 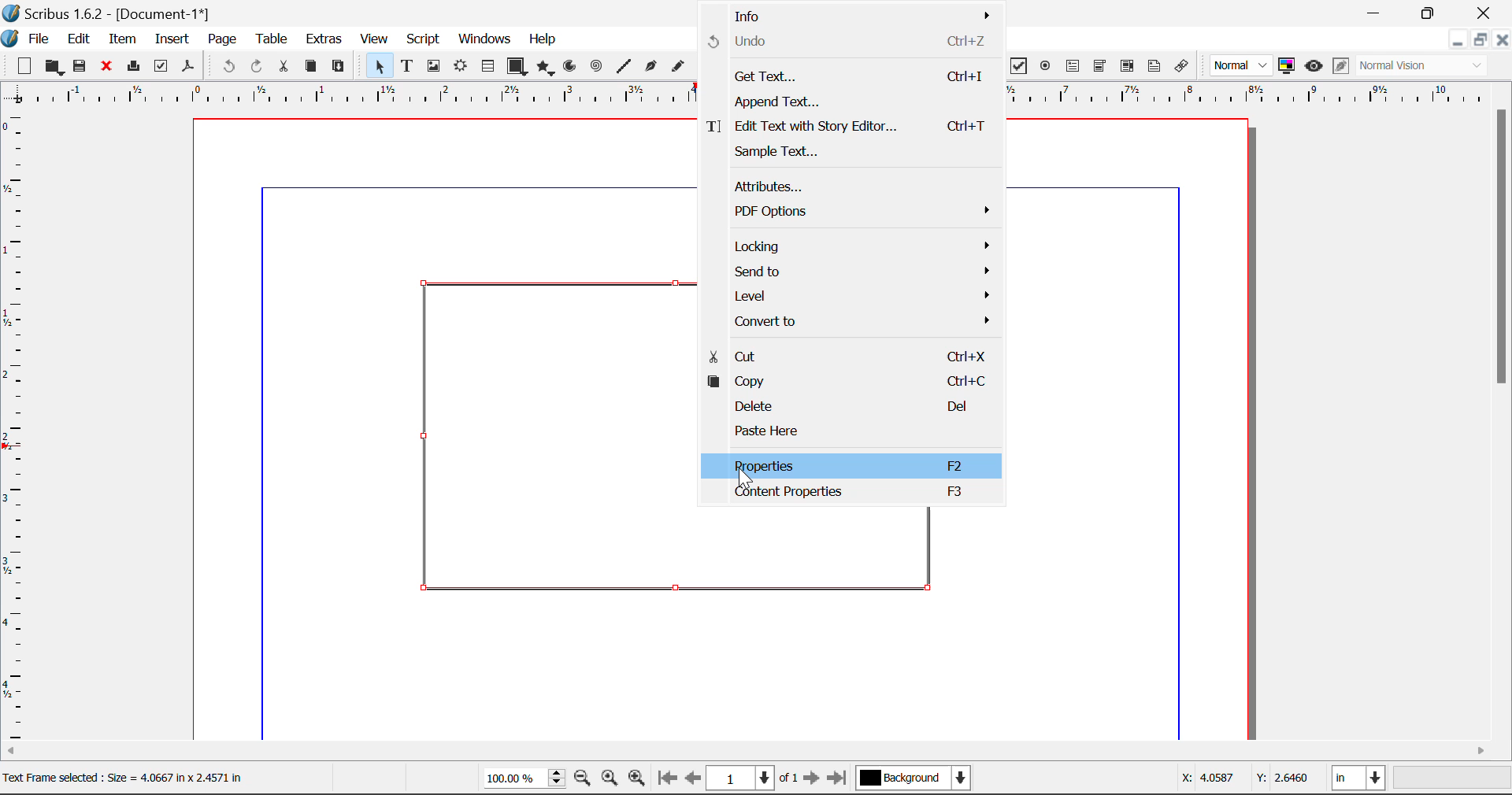 I want to click on Pdf Listbox, so click(x=1125, y=66).